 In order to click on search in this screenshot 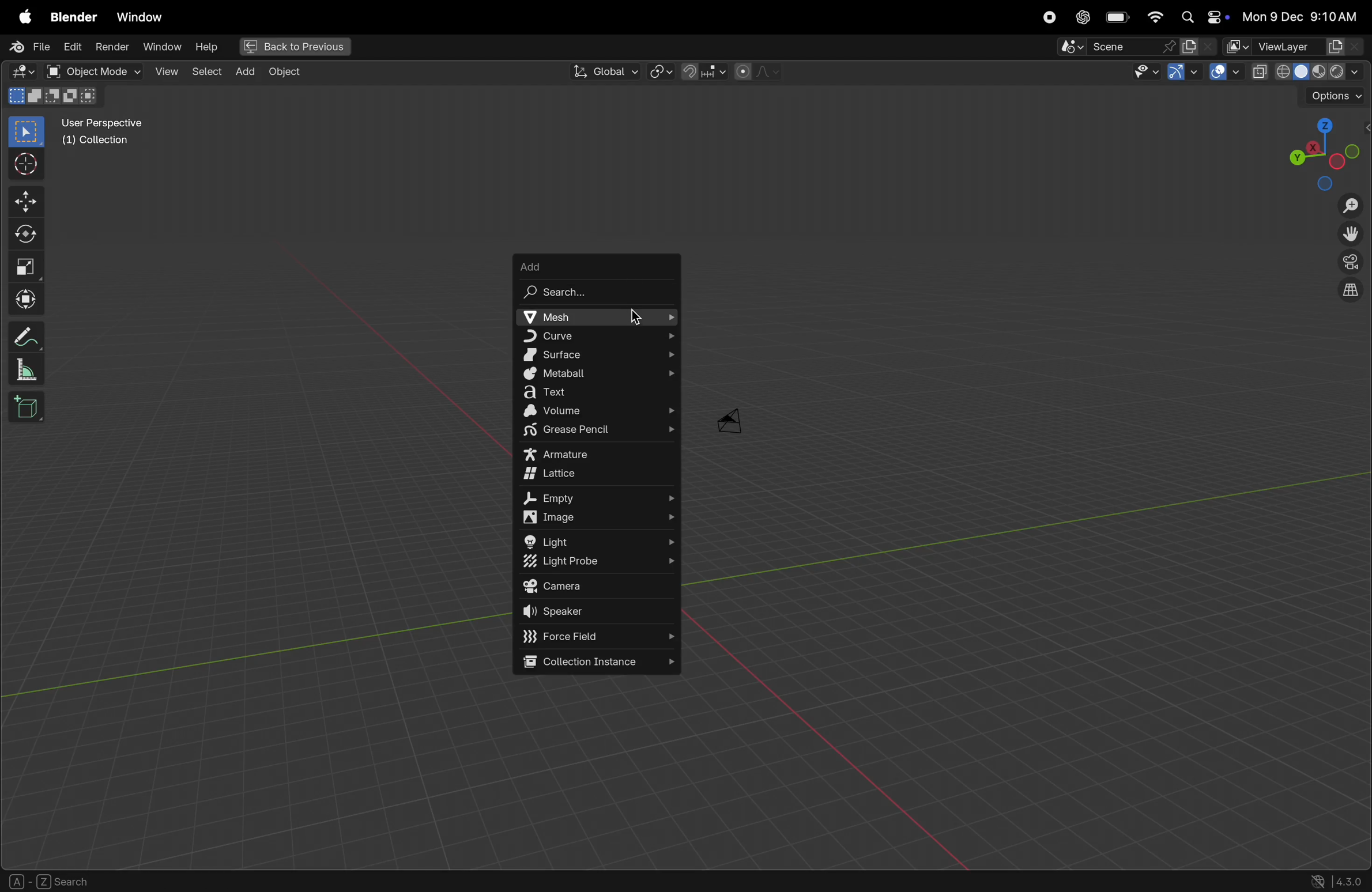, I will do `click(596, 292)`.